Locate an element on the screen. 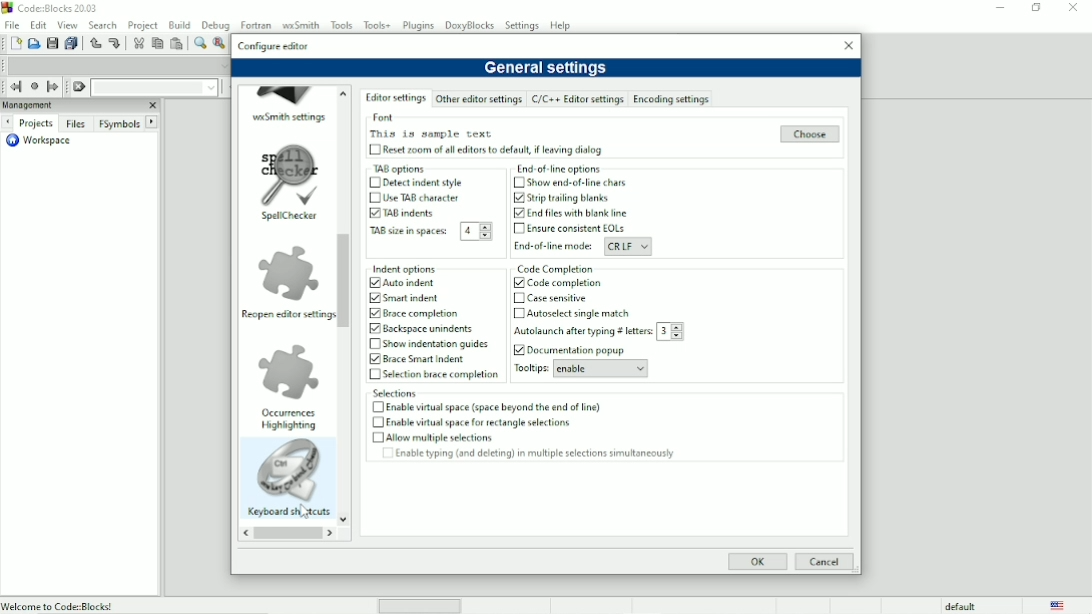 Image resolution: width=1092 pixels, height=614 pixels.  is located at coordinates (518, 182).